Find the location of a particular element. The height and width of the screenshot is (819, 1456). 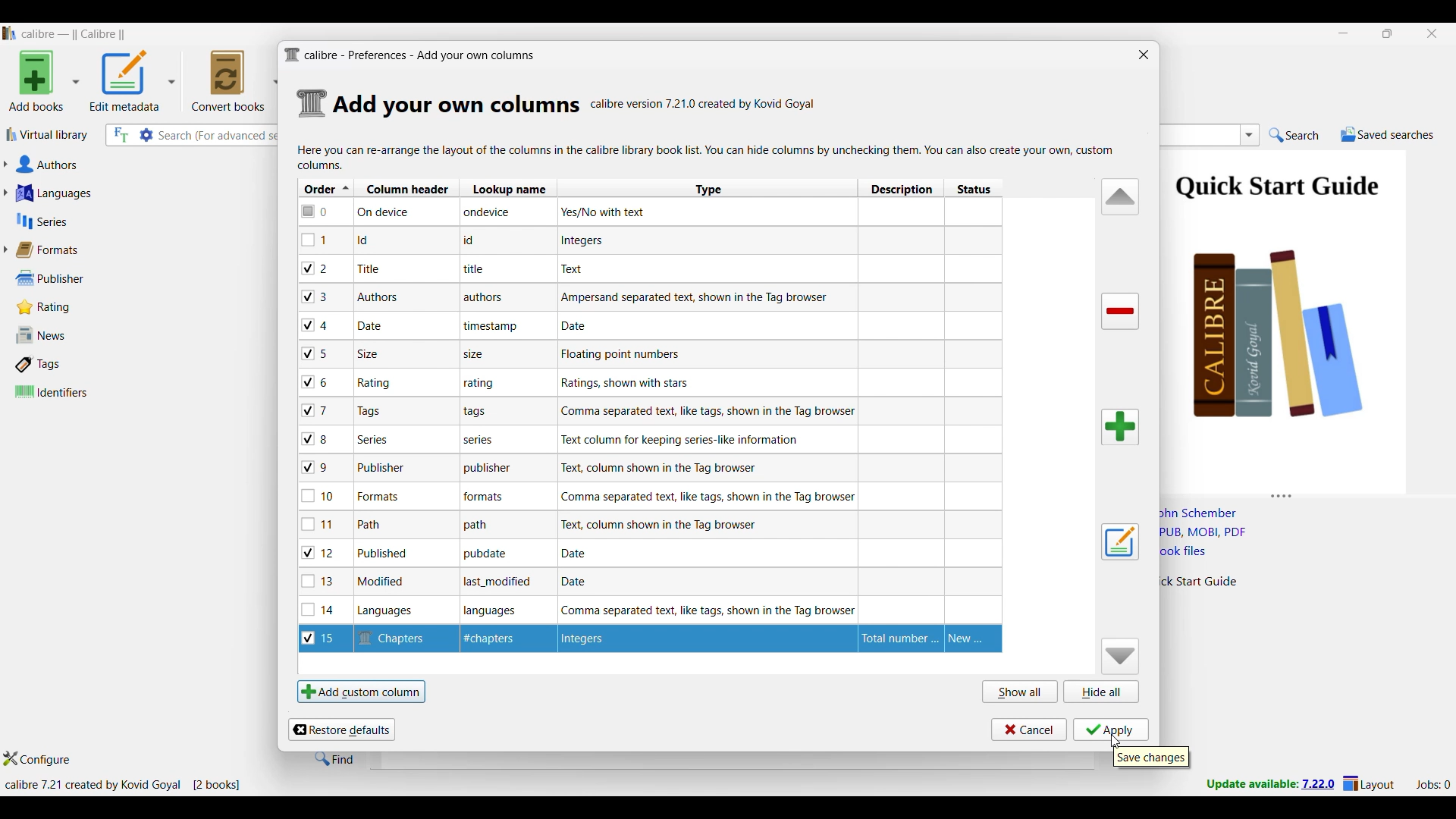

Note is located at coordinates (373, 439).